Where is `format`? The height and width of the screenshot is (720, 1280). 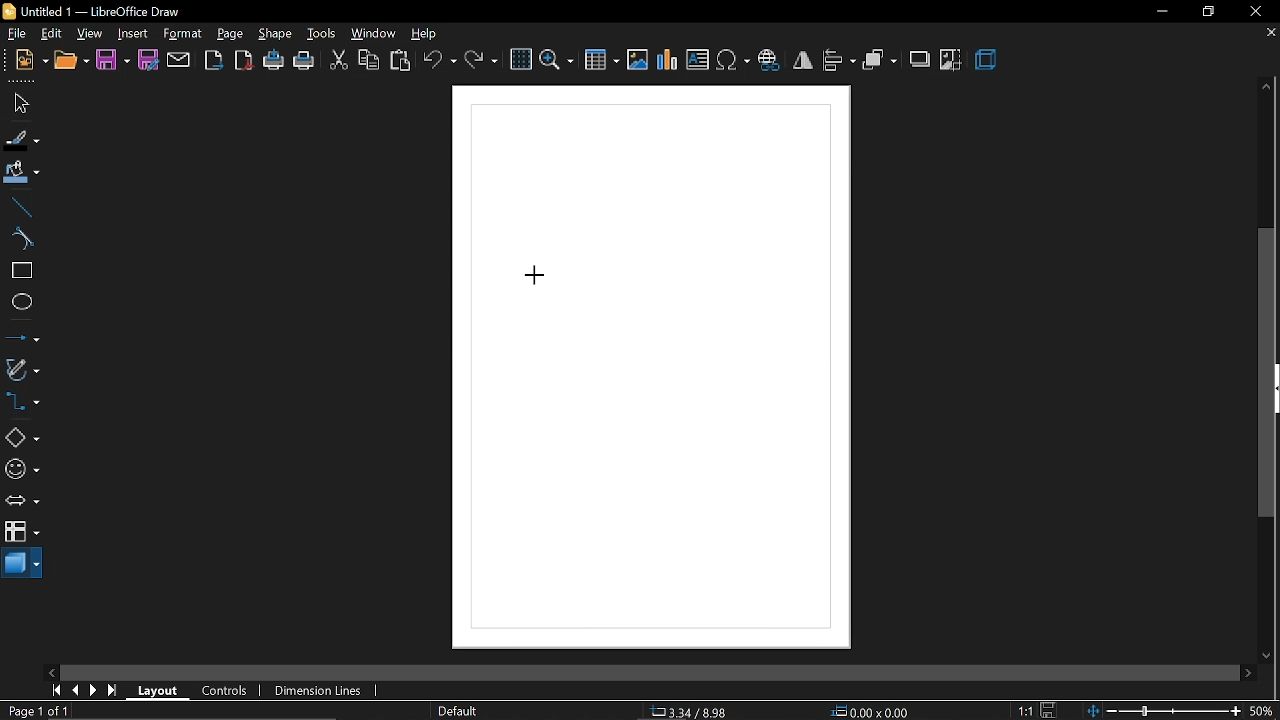 format is located at coordinates (184, 35).